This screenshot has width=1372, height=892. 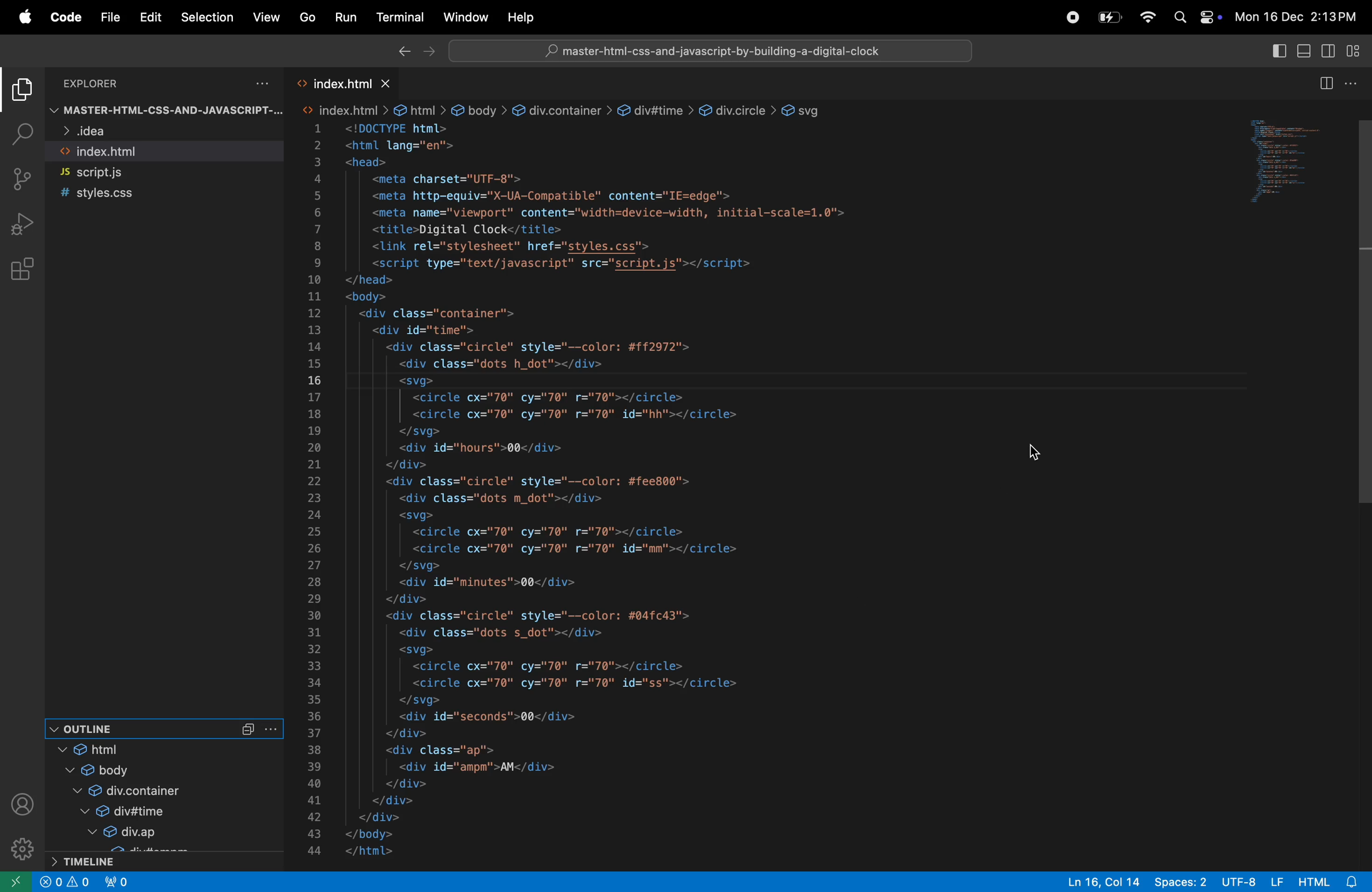 What do you see at coordinates (402, 51) in the screenshot?
I see `Backward` at bounding box center [402, 51].